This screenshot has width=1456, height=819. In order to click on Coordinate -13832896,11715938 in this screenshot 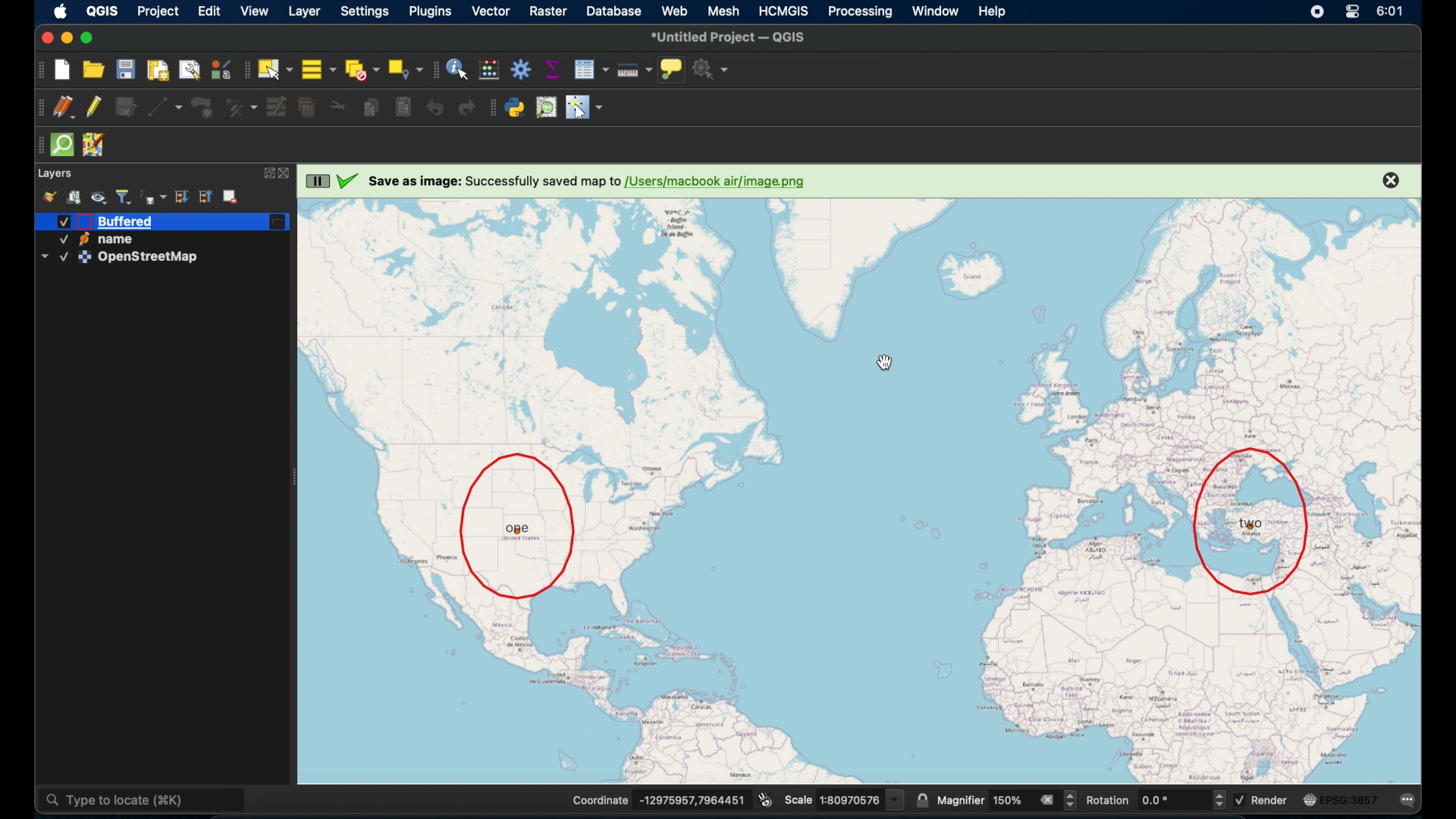, I will do `click(654, 800)`.